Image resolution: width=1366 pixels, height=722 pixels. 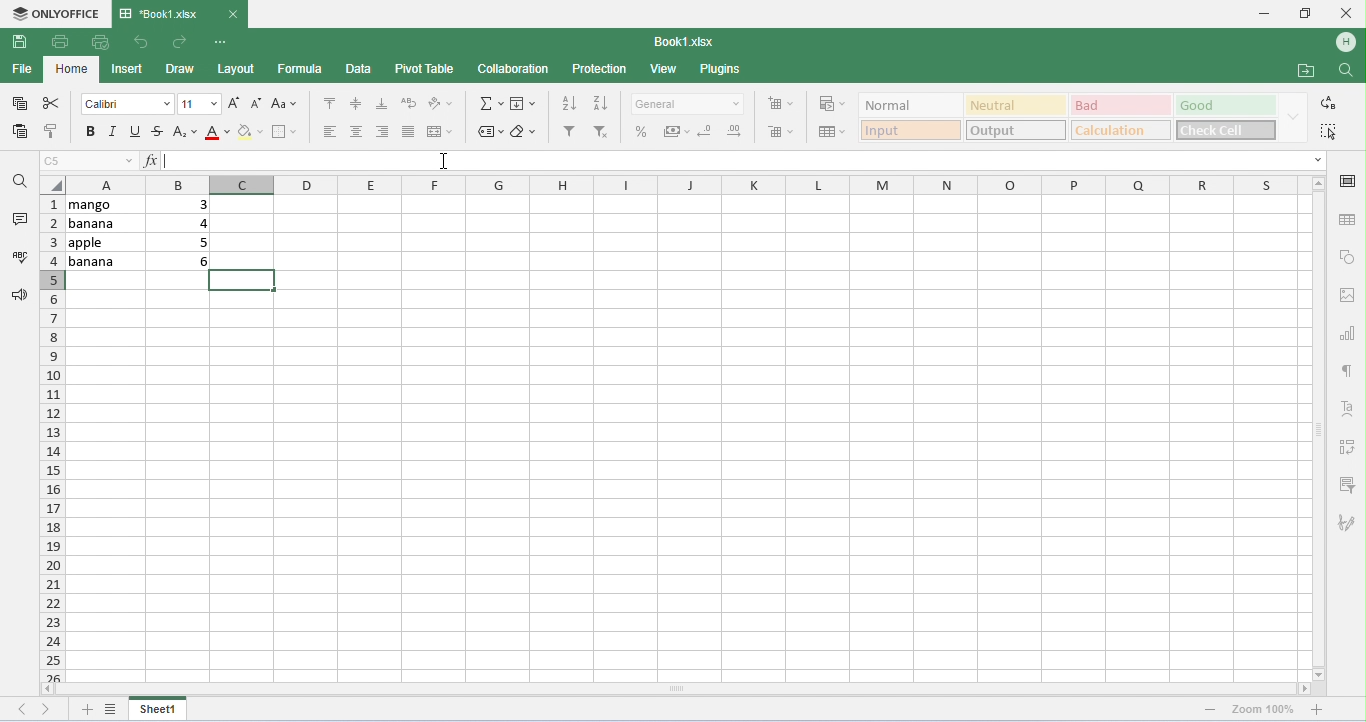 I want to click on apple, so click(x=105, y=242).